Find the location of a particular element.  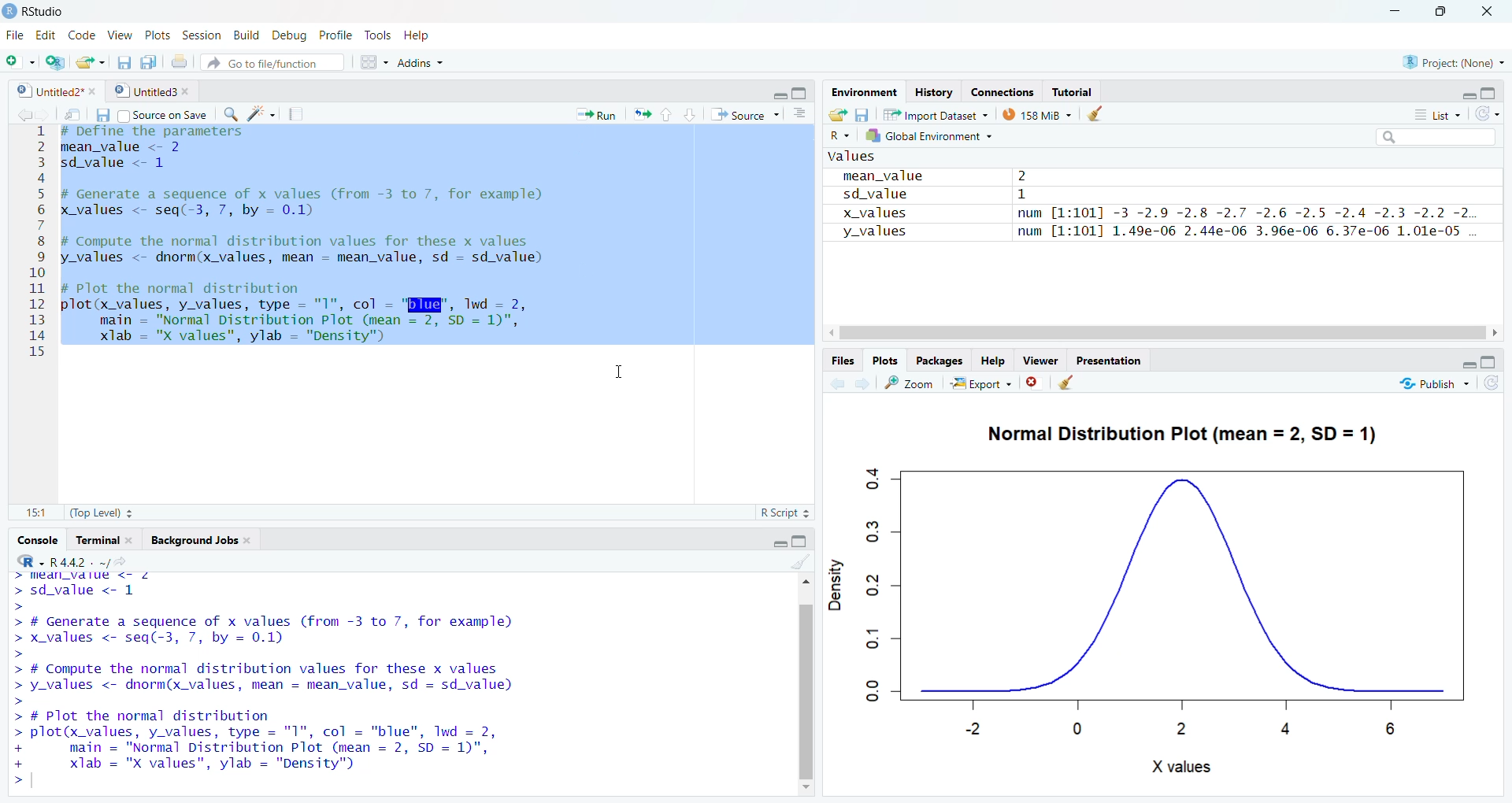

Plots is located at coordinates (888, 360).